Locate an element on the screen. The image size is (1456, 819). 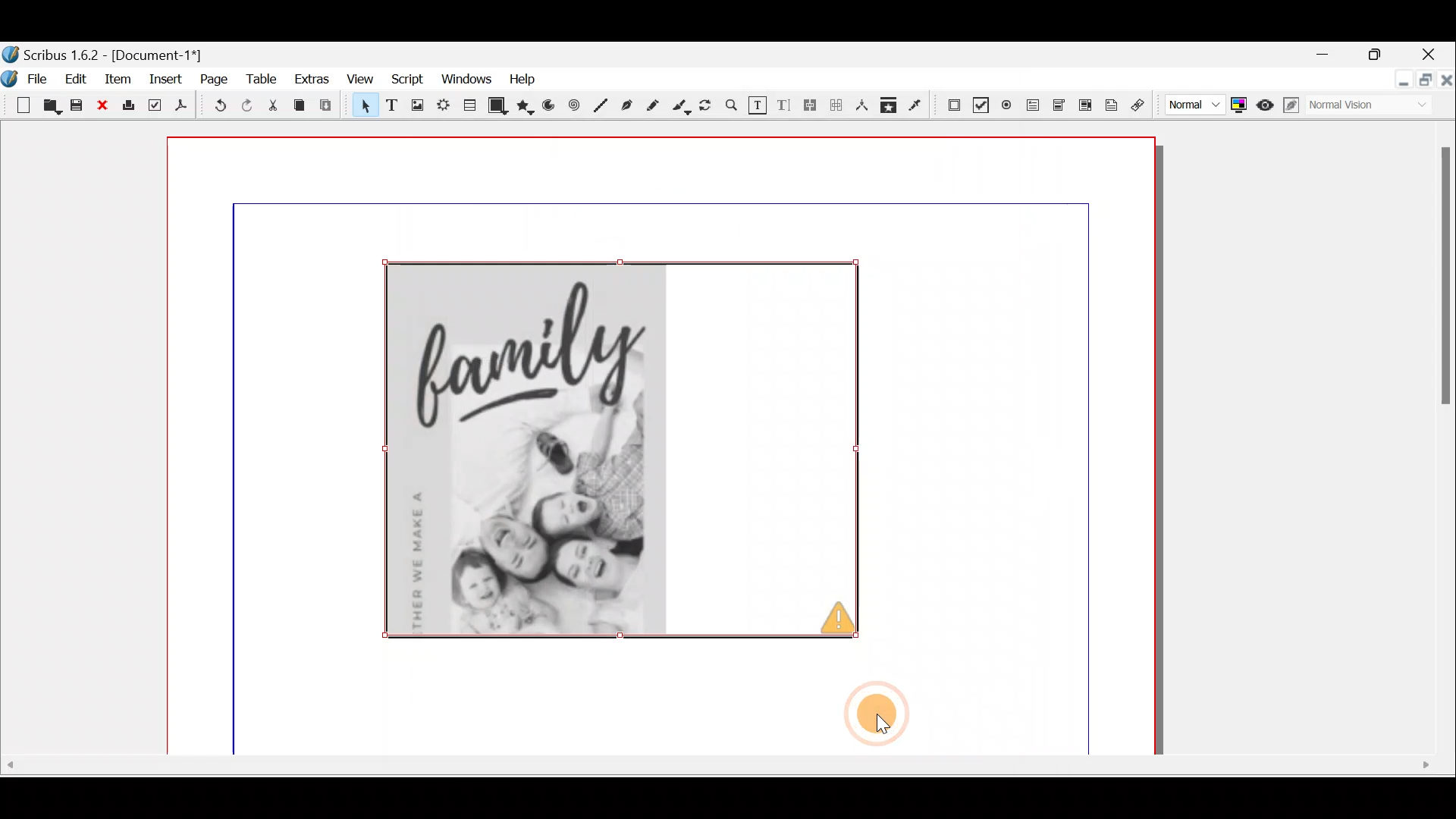
Select item is located at coordinates (363, 105).